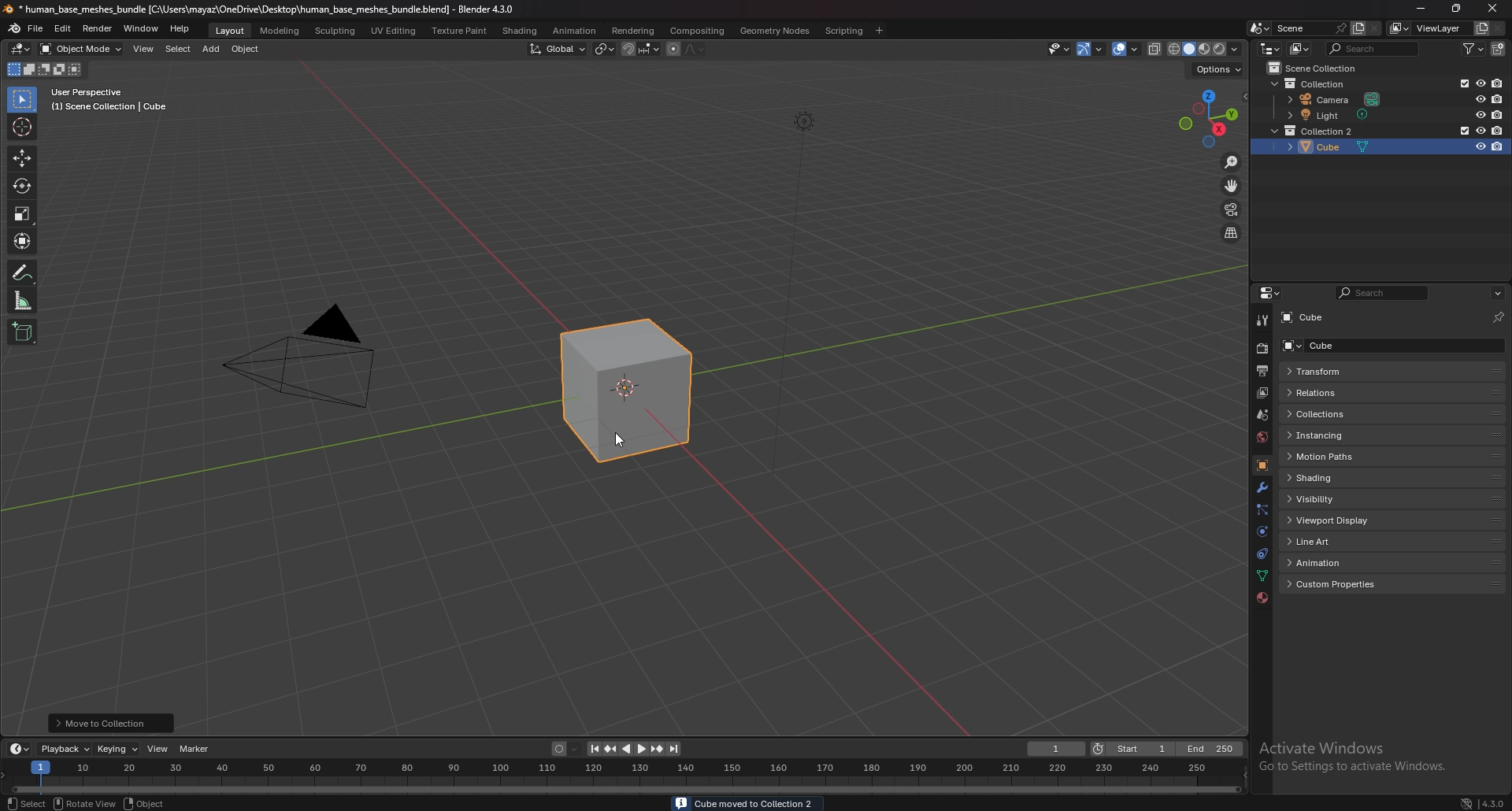  Describe the element at coordinates (1262, 597) in the screenshot. I see `material` at that location.